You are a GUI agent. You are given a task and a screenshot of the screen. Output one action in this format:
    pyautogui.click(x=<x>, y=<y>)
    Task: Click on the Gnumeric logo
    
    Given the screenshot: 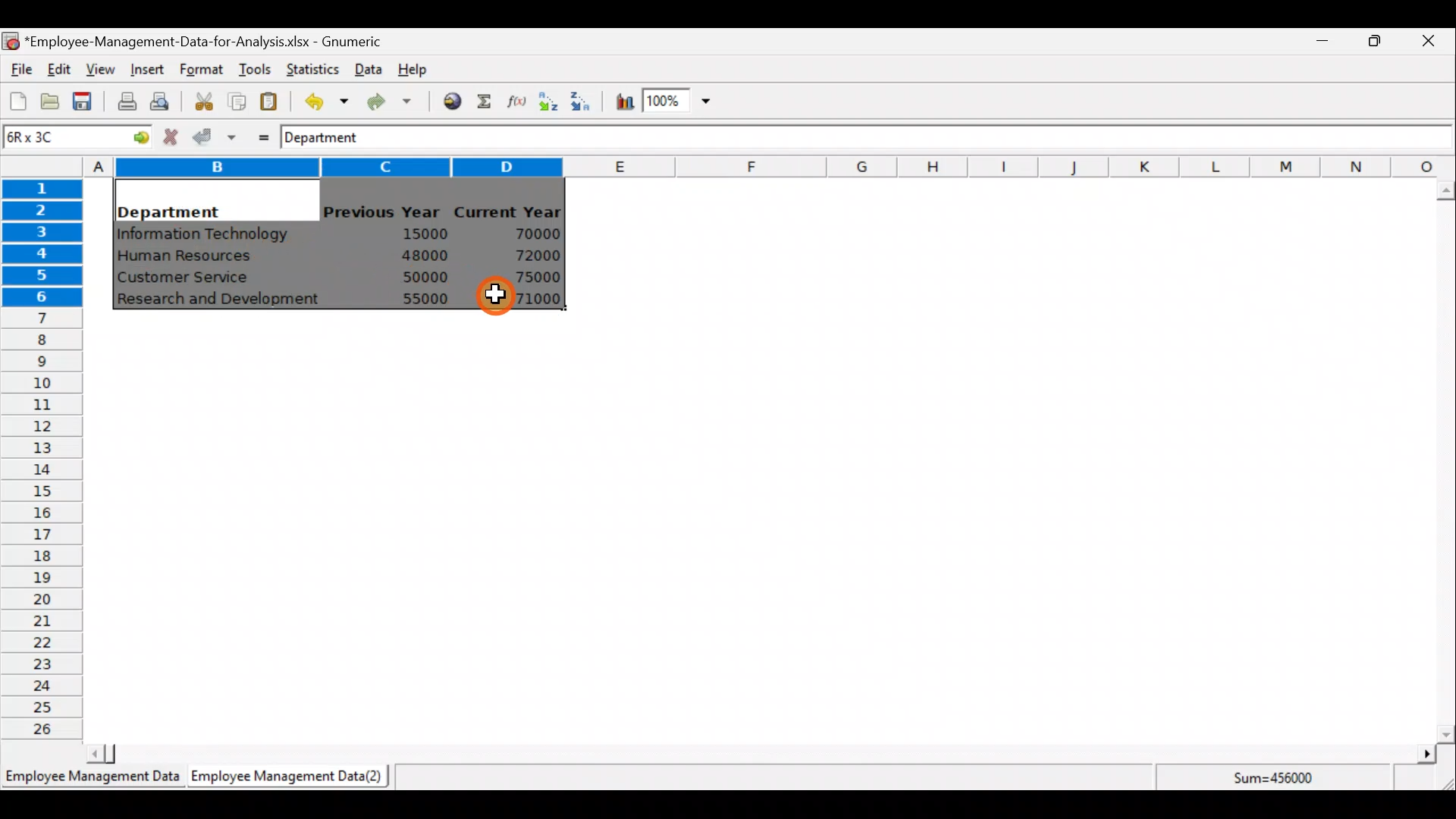 What is the action you would take?
    pyautogui.click(x=11, y=42)
    